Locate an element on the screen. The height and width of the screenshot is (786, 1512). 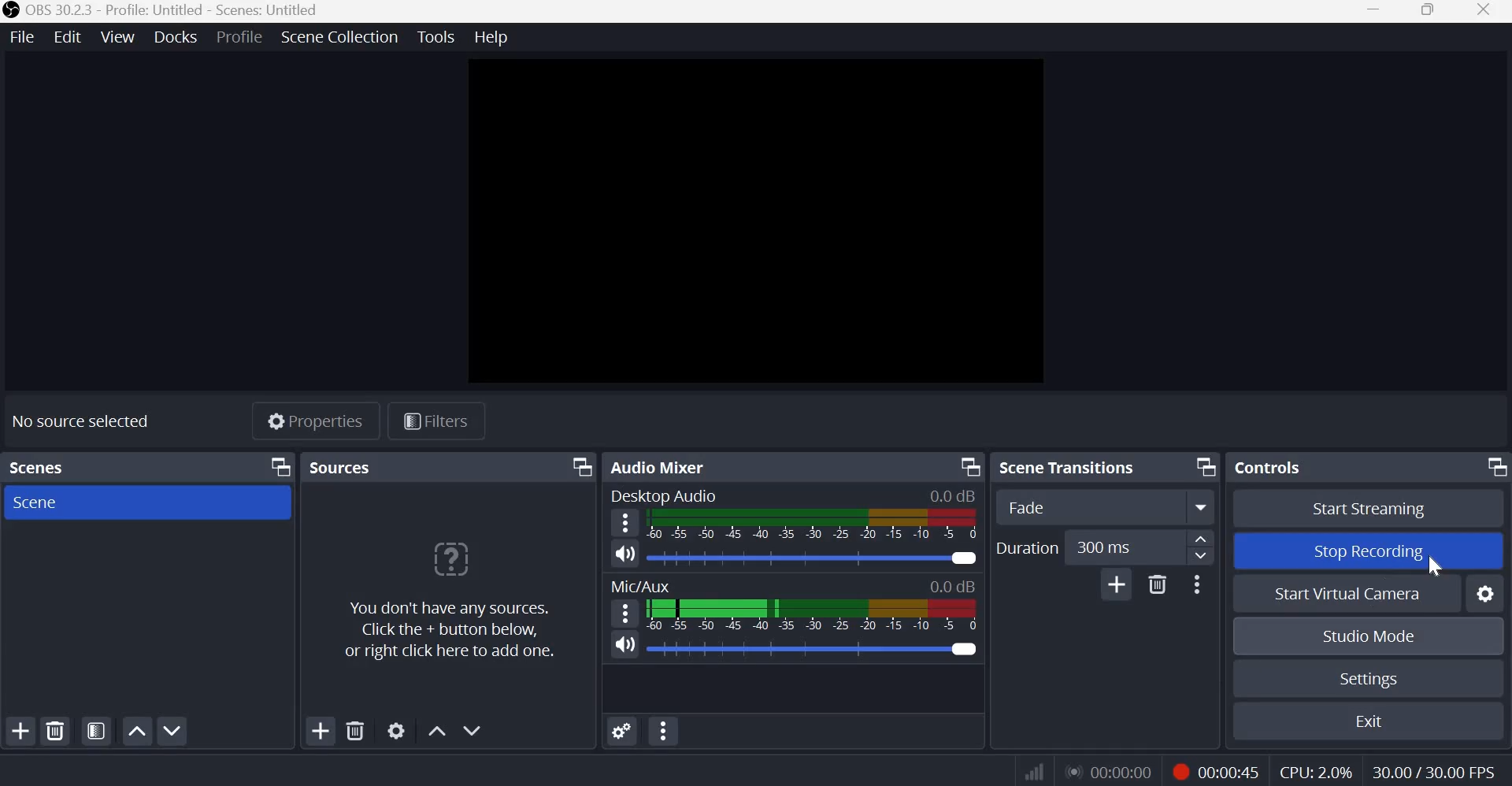
300 ms is located at coordinates (1127, 547).